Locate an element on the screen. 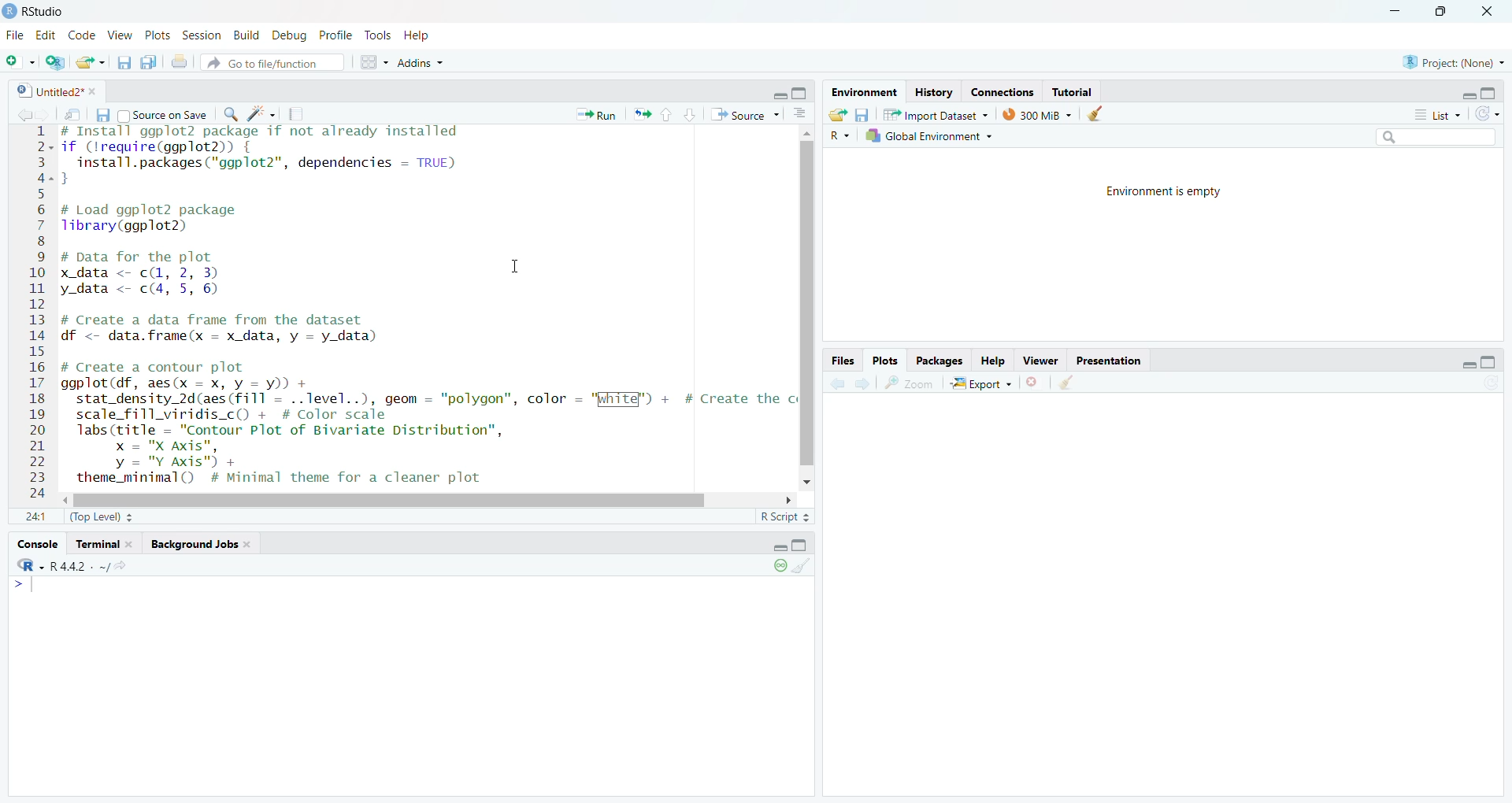  go back to the next source location is located at coordinates (43, 115).